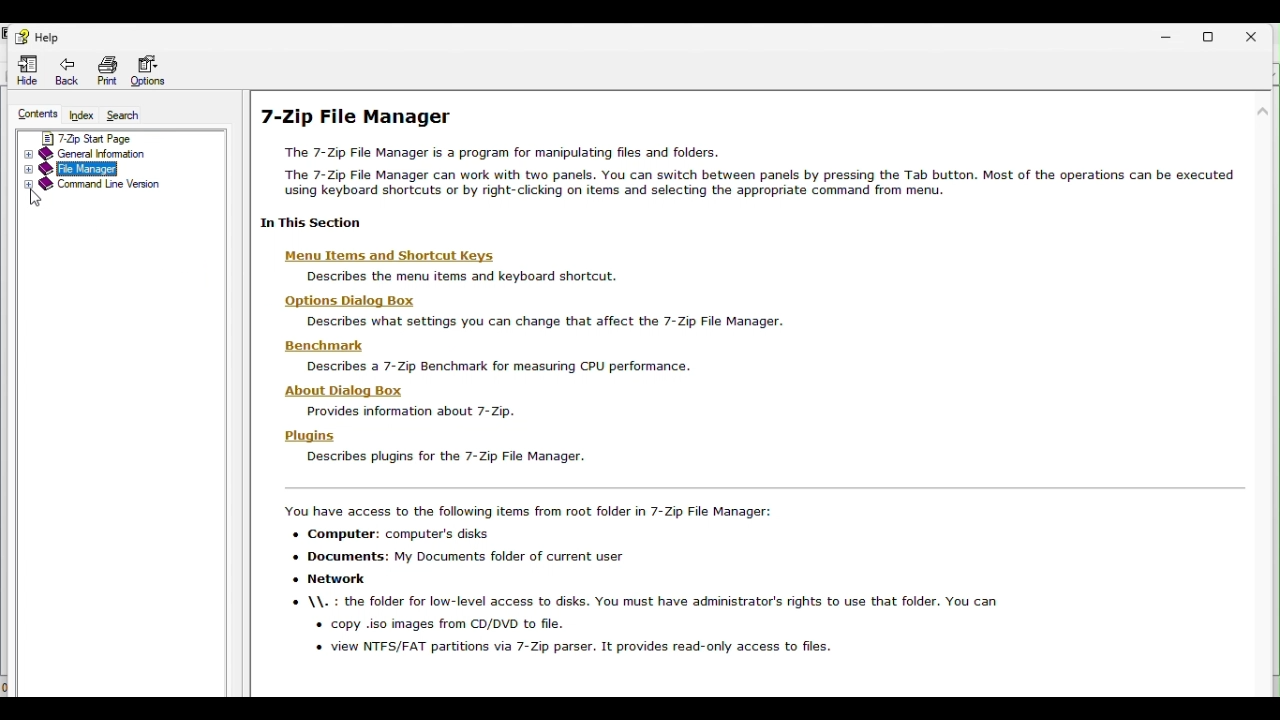  What do you see at coordinates (410, 412) in the screenshot?
I see `Provides information about 7-Zip.` at bounding box center [410, 412].